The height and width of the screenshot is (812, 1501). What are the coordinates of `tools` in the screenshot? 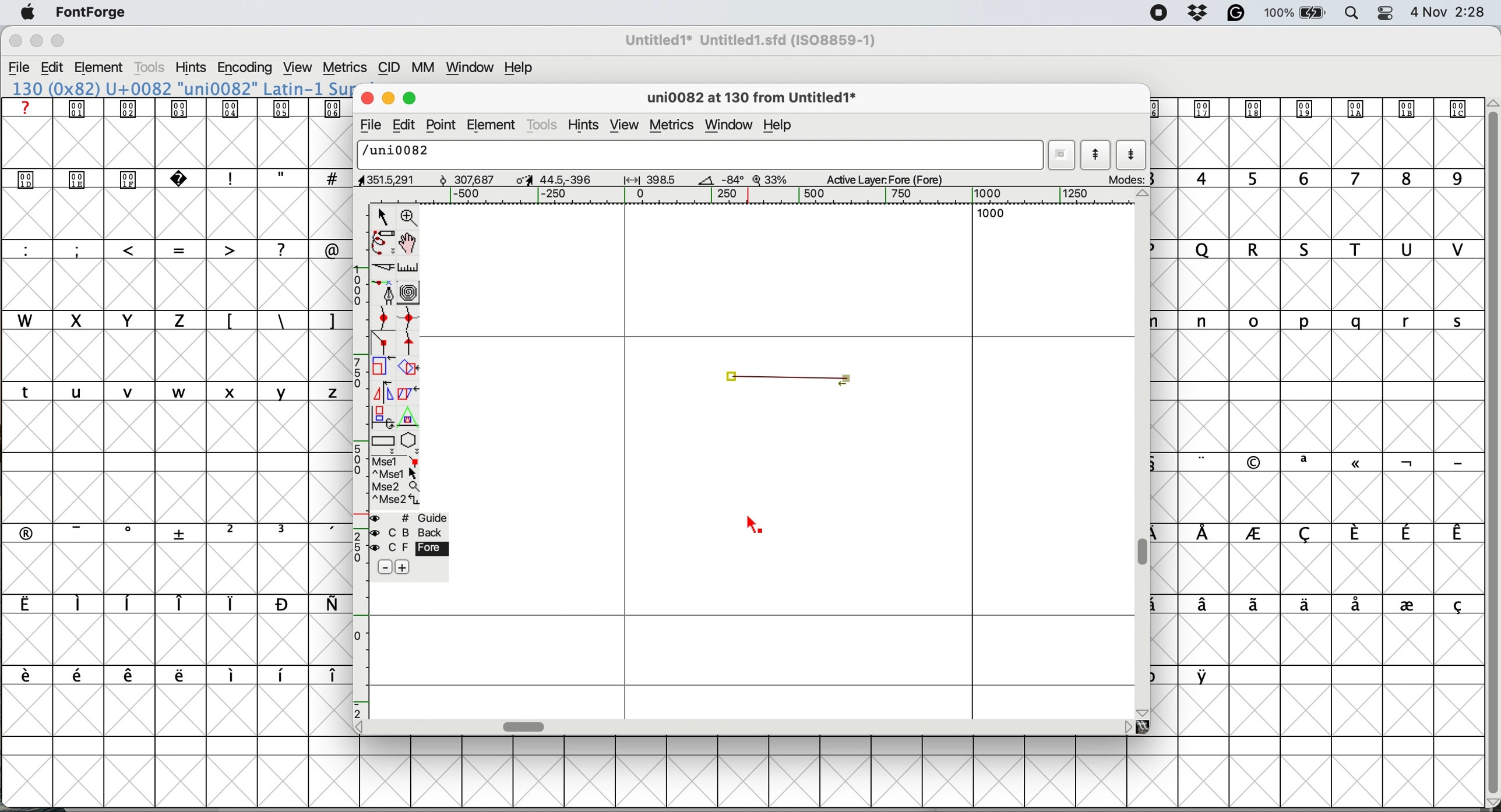 It's located at (543, 126).